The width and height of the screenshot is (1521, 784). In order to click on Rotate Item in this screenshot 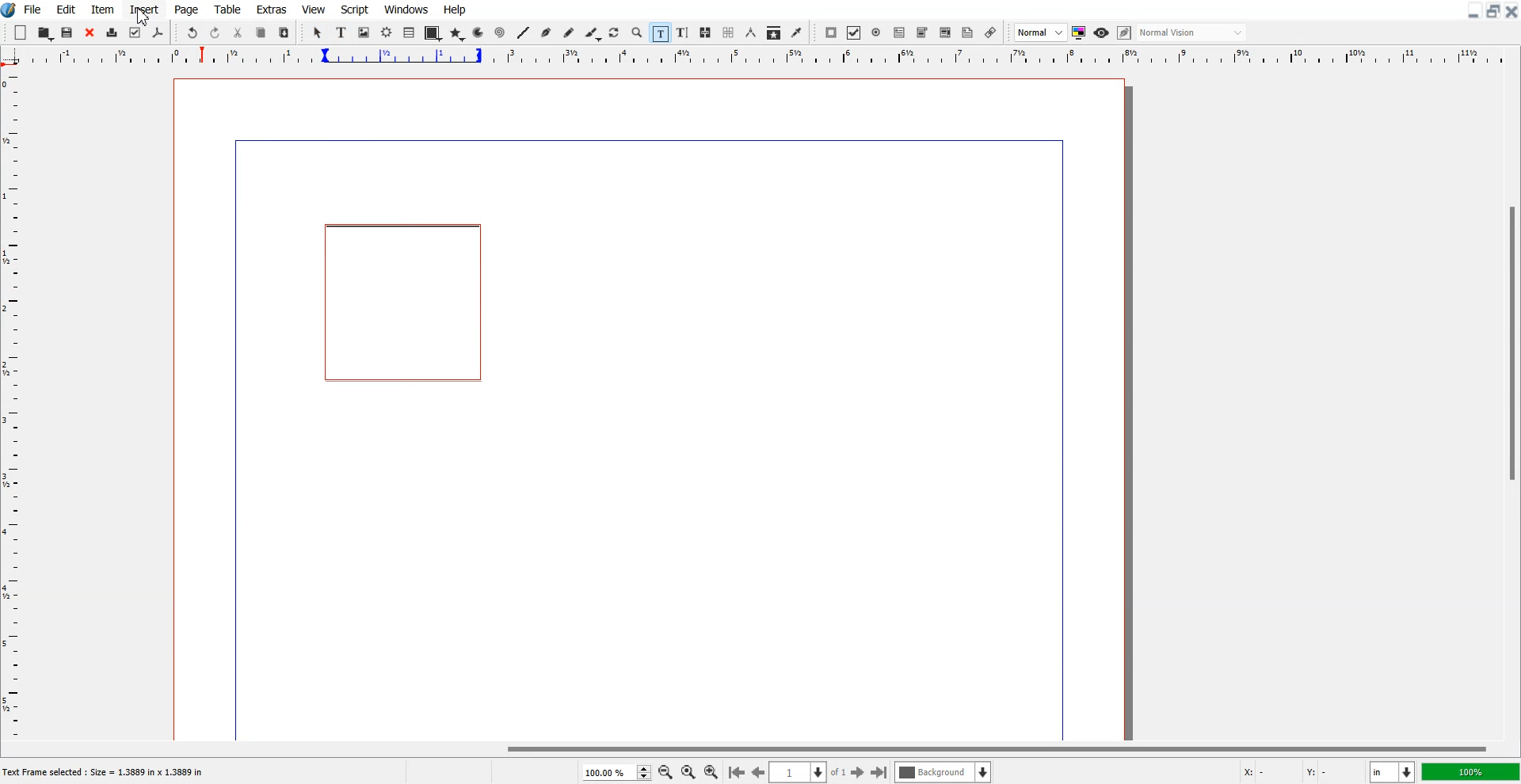, I will do `click(616, 33)`.